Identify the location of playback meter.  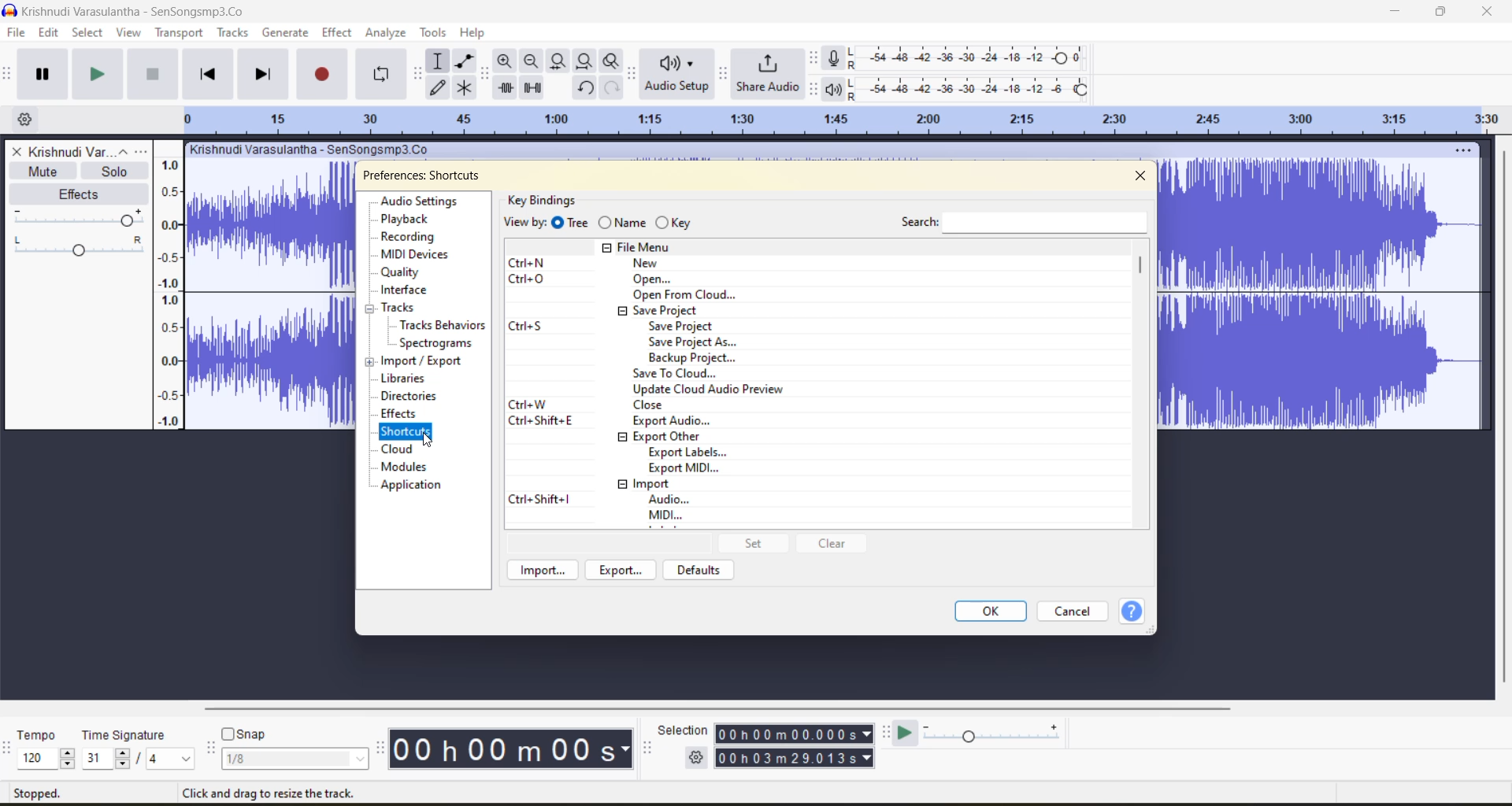
(835, 88).